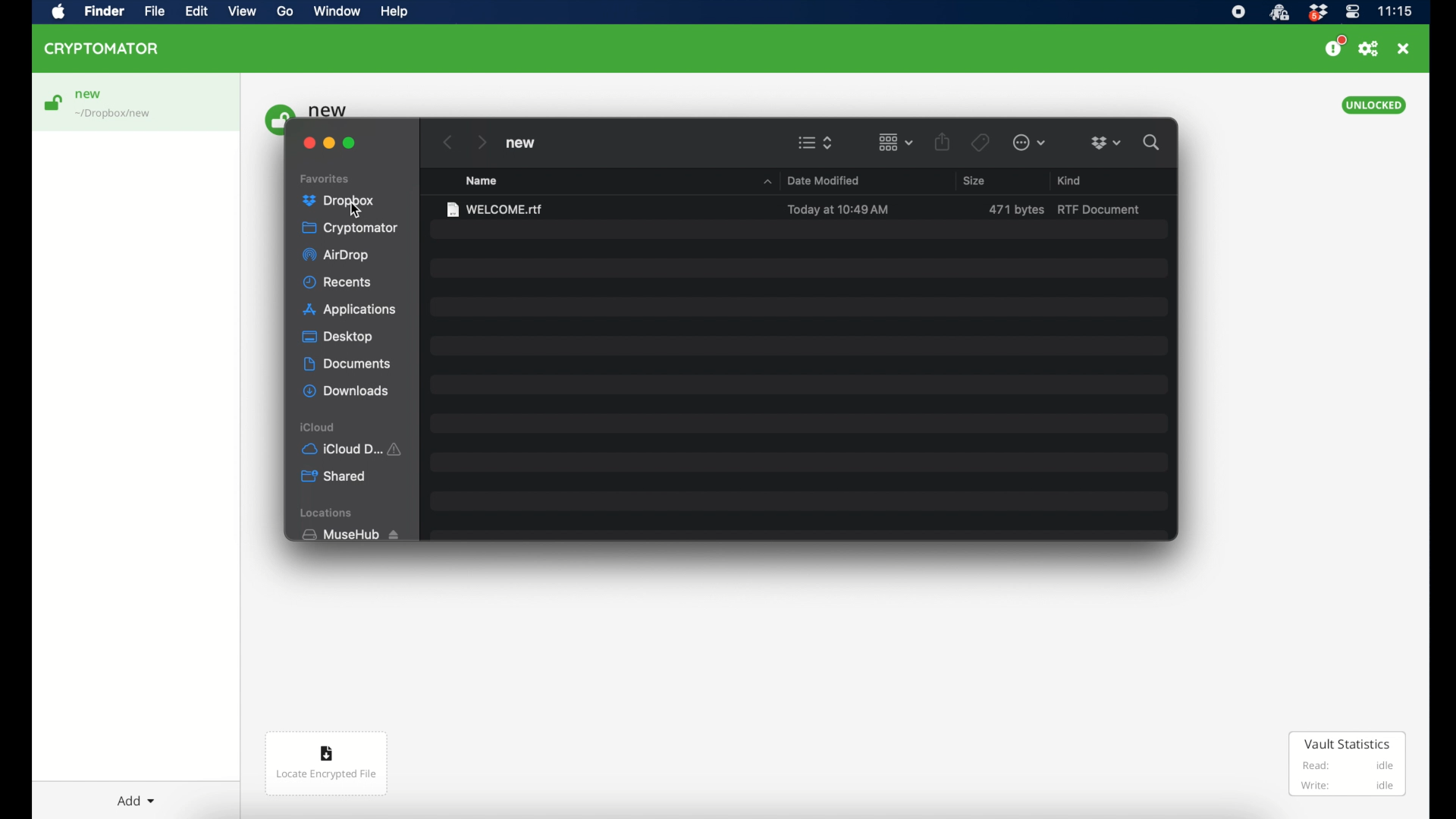 Image resolution: width=1456 pixels, height=819 pixels. I want to click on dropbox, so click(1317, 13).